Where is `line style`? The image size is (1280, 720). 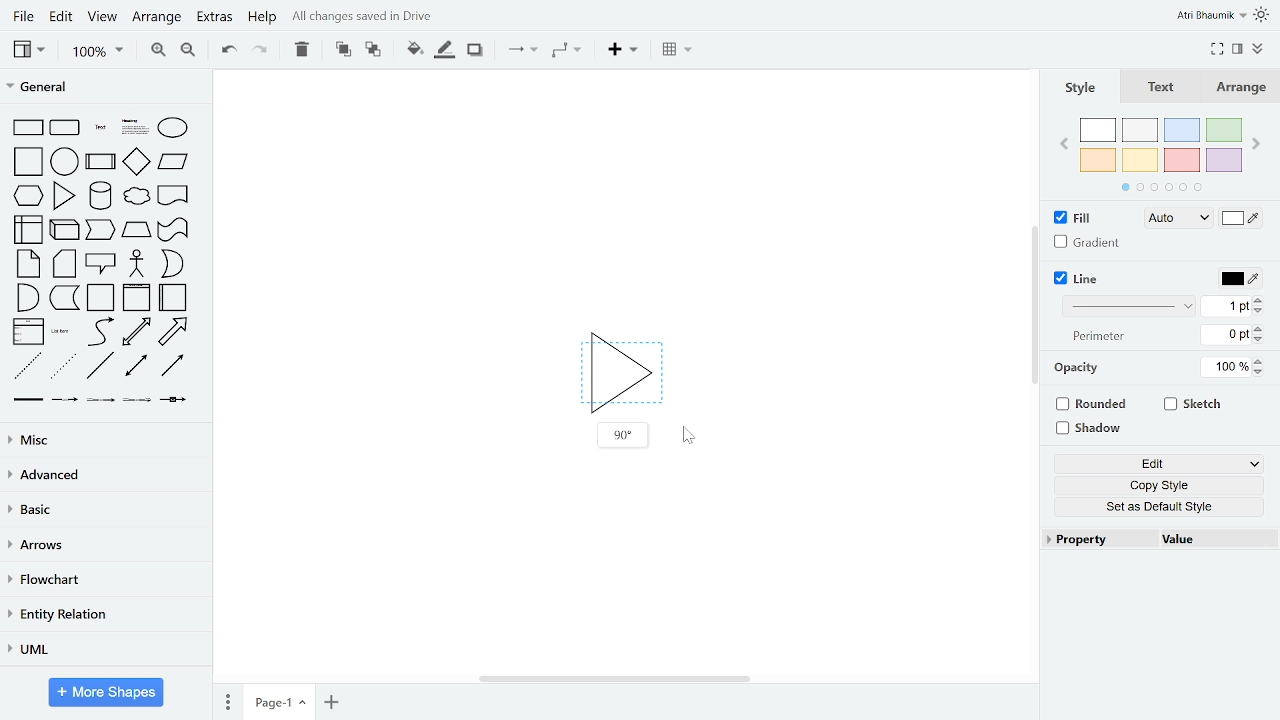
line style is located at coordinates (1129, 307).